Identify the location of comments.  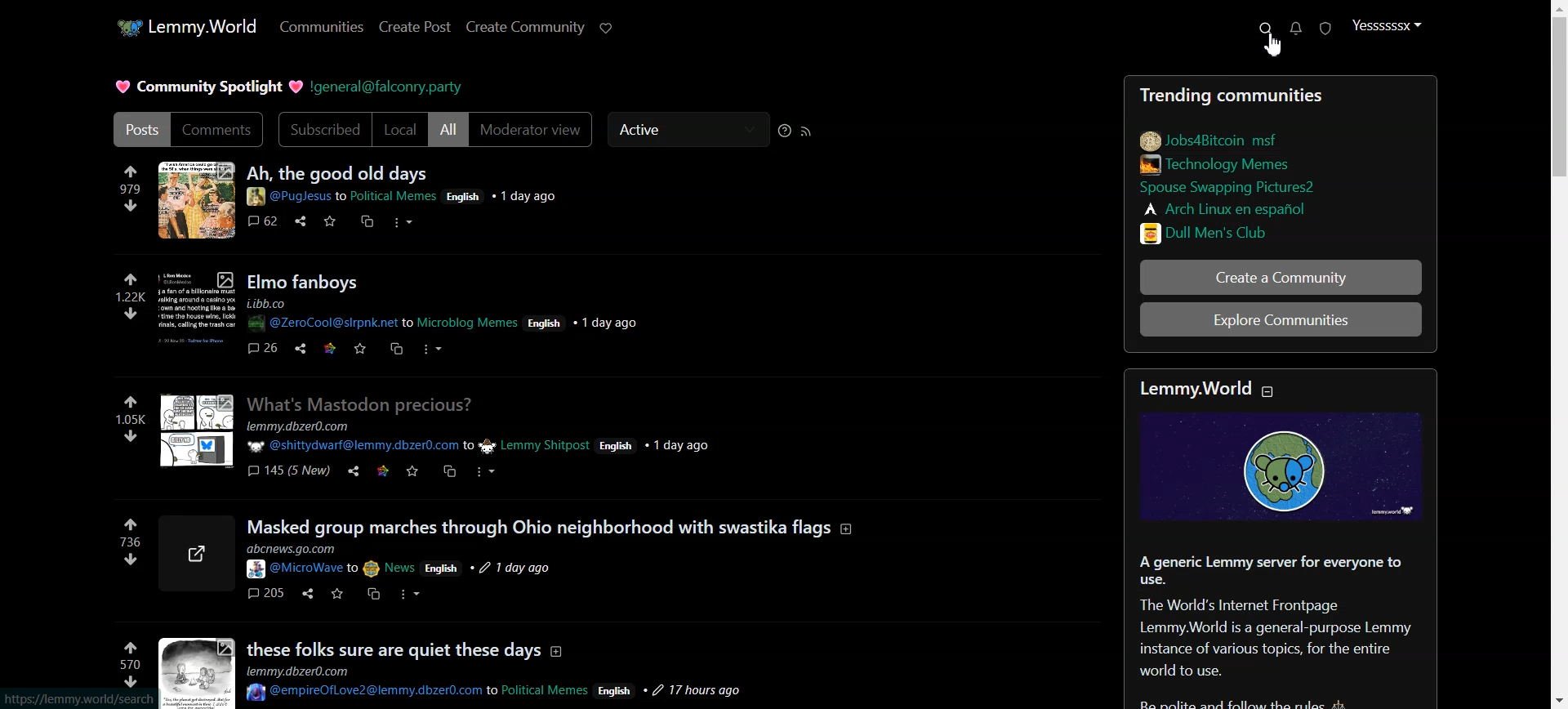
(264, 592).